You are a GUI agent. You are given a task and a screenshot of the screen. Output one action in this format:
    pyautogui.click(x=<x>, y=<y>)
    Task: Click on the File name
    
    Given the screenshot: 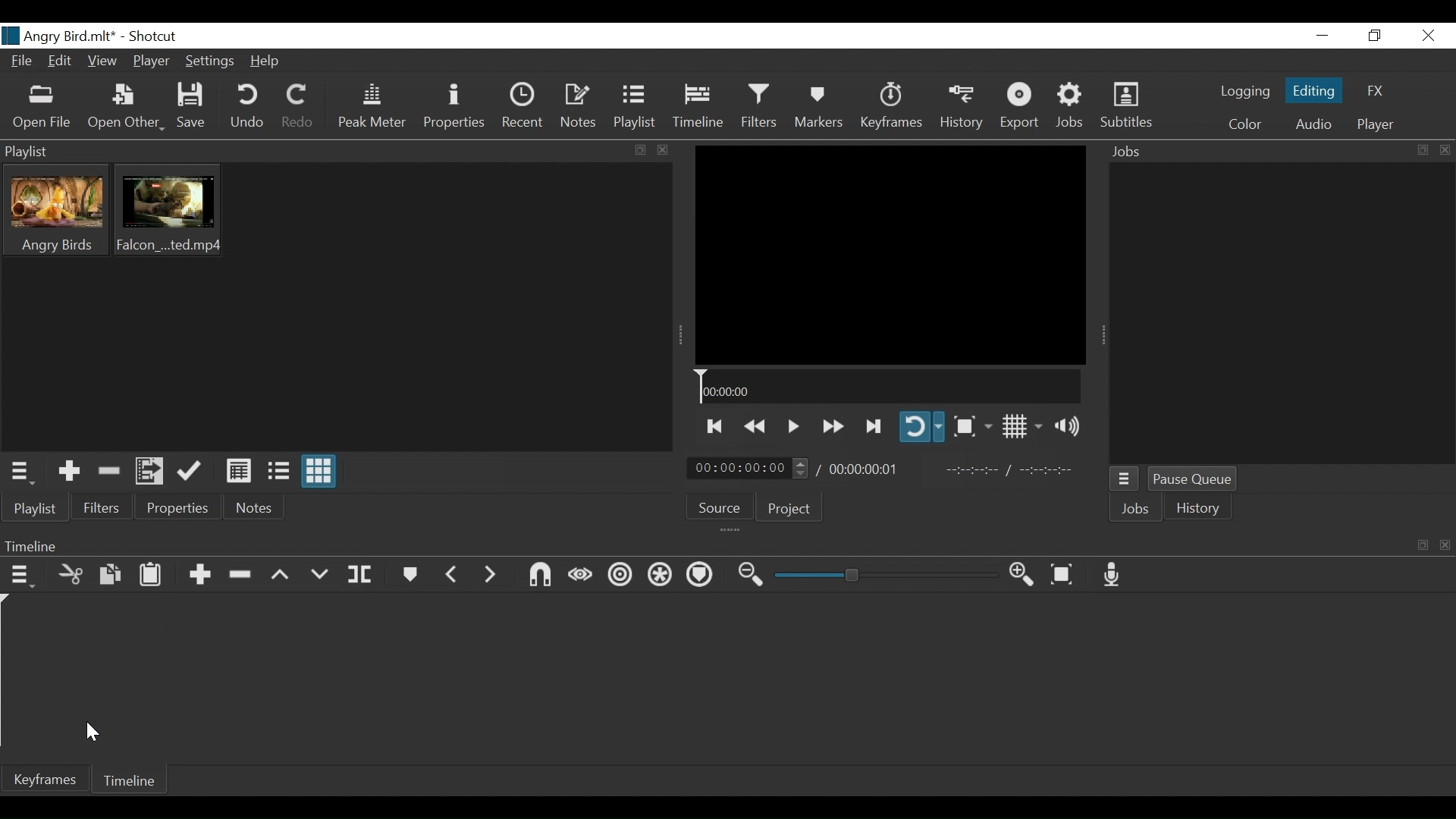 What is the action you would take?
    pyautogui.click(x=60, y=35)
    